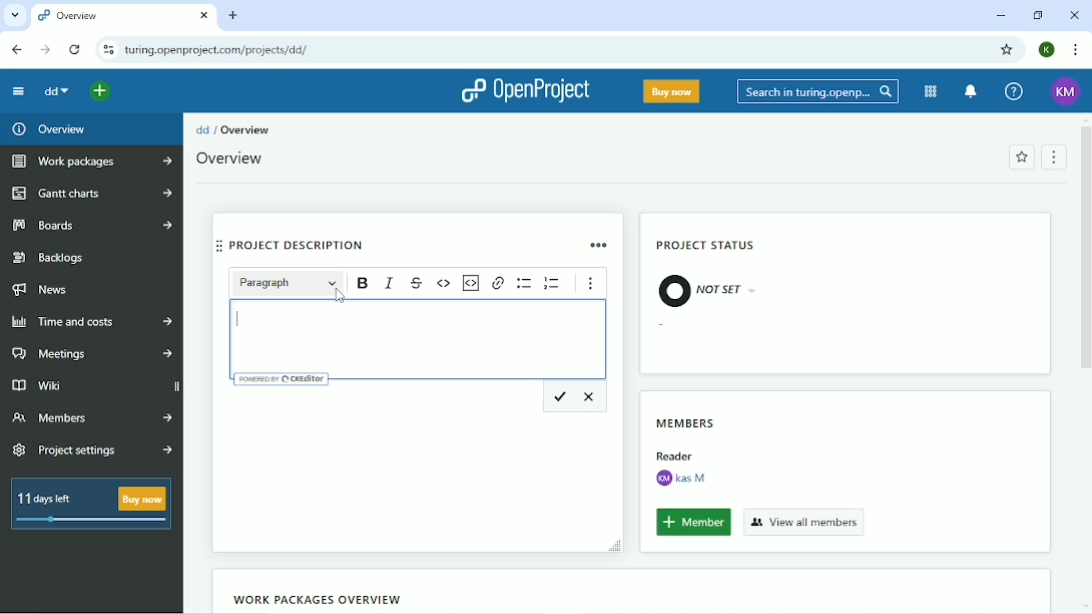 The image size is (1092, 614). Describe the element at coordinates (313, 599) in the screenshot. I see `Work packages overview` at that location.